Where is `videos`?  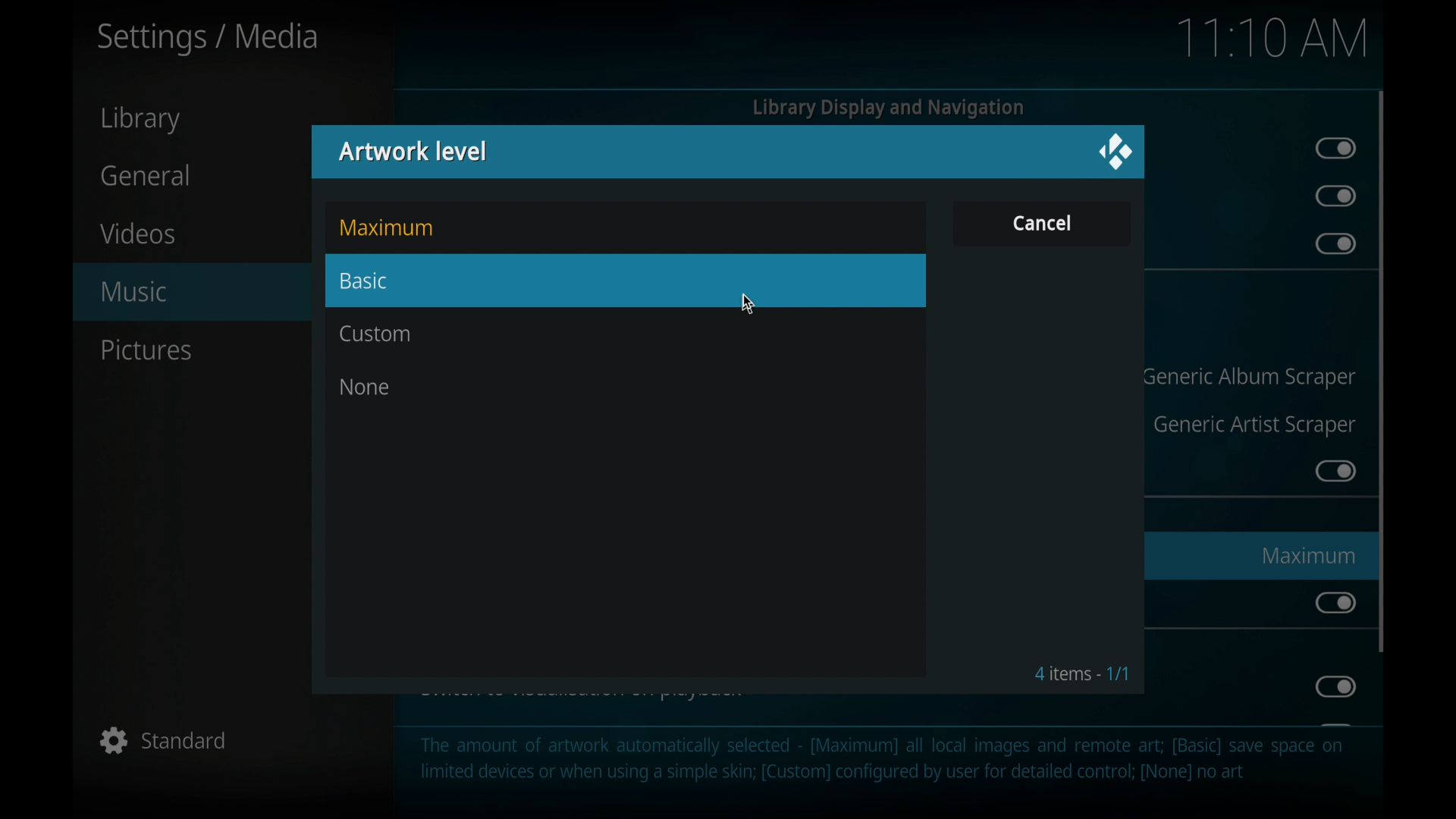
videos is located at coordinates (138, 233).